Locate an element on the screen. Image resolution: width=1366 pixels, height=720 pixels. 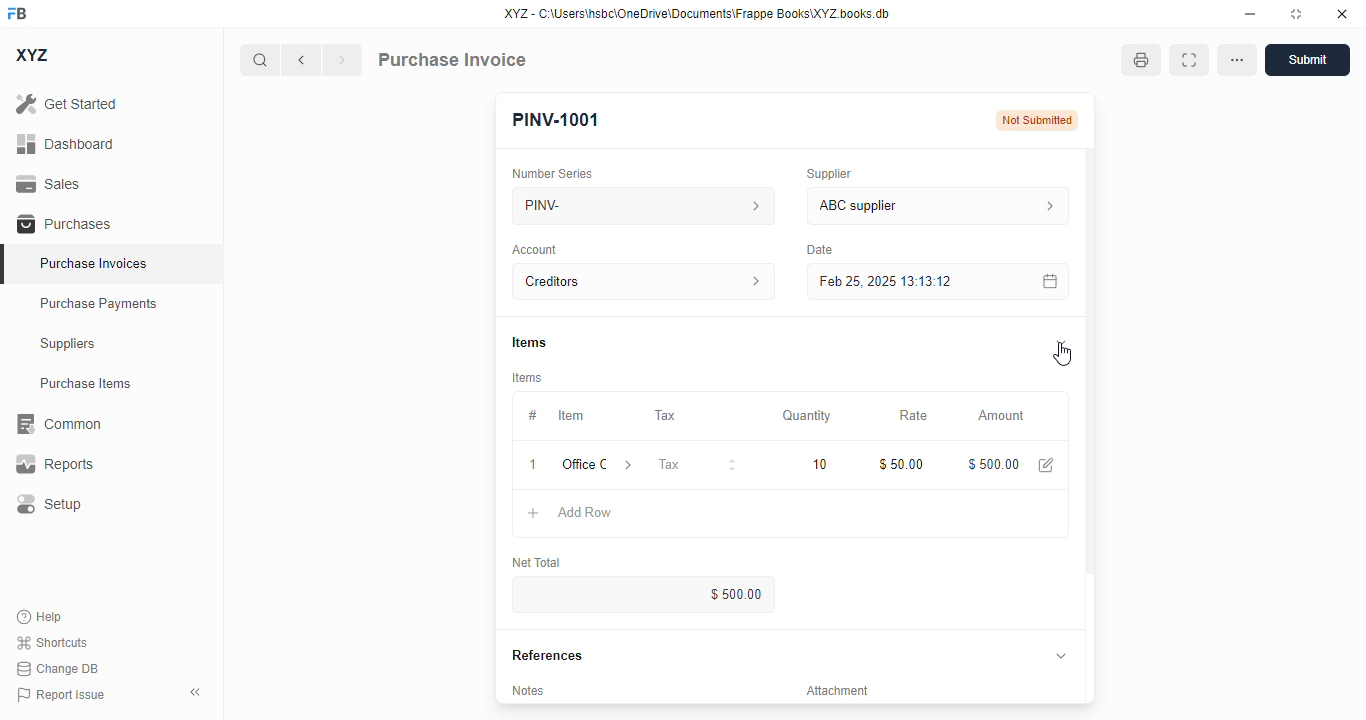
toggle between form and full width is located at coordinates (1188, 60).